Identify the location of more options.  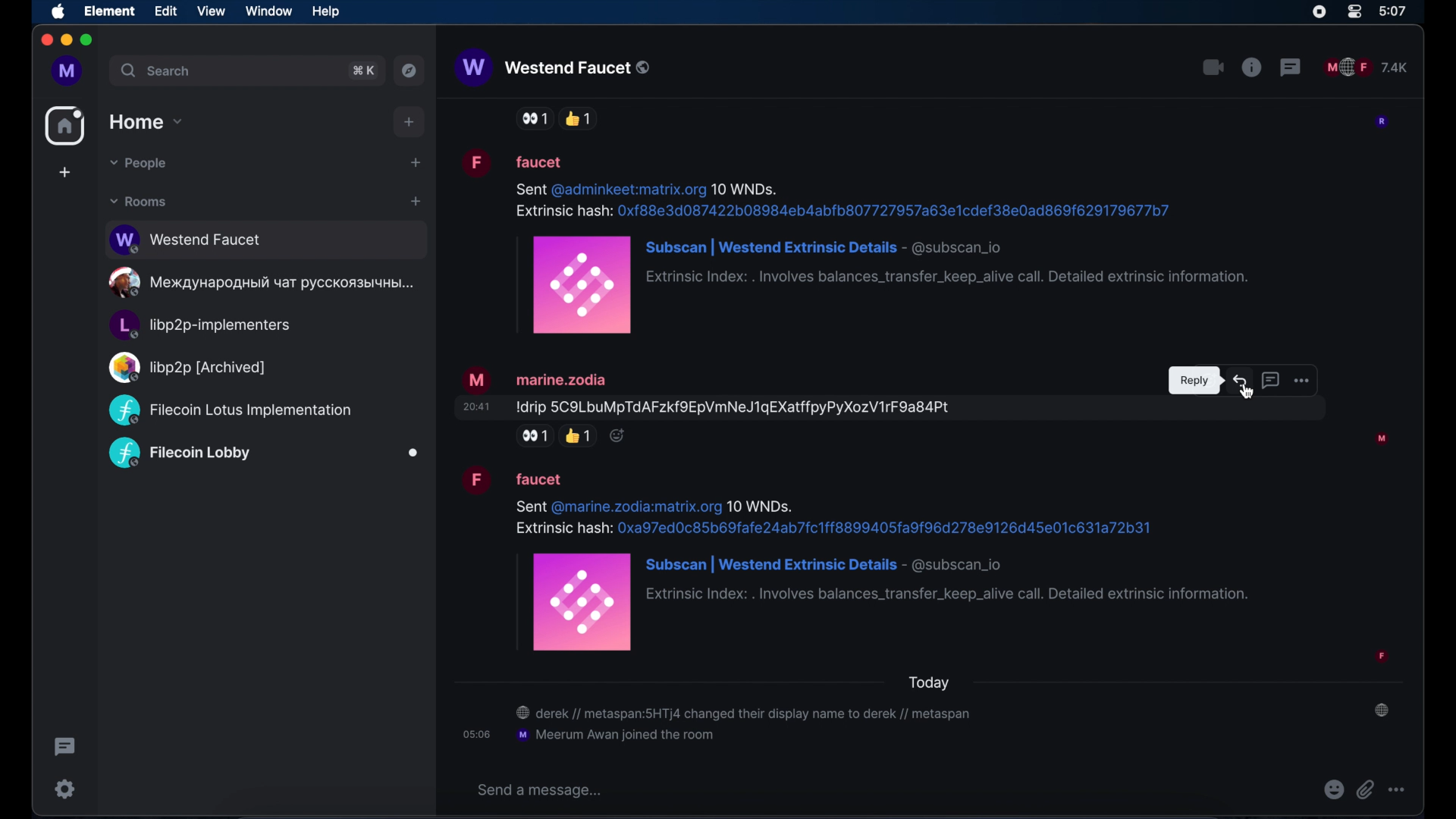
(1398, 790).